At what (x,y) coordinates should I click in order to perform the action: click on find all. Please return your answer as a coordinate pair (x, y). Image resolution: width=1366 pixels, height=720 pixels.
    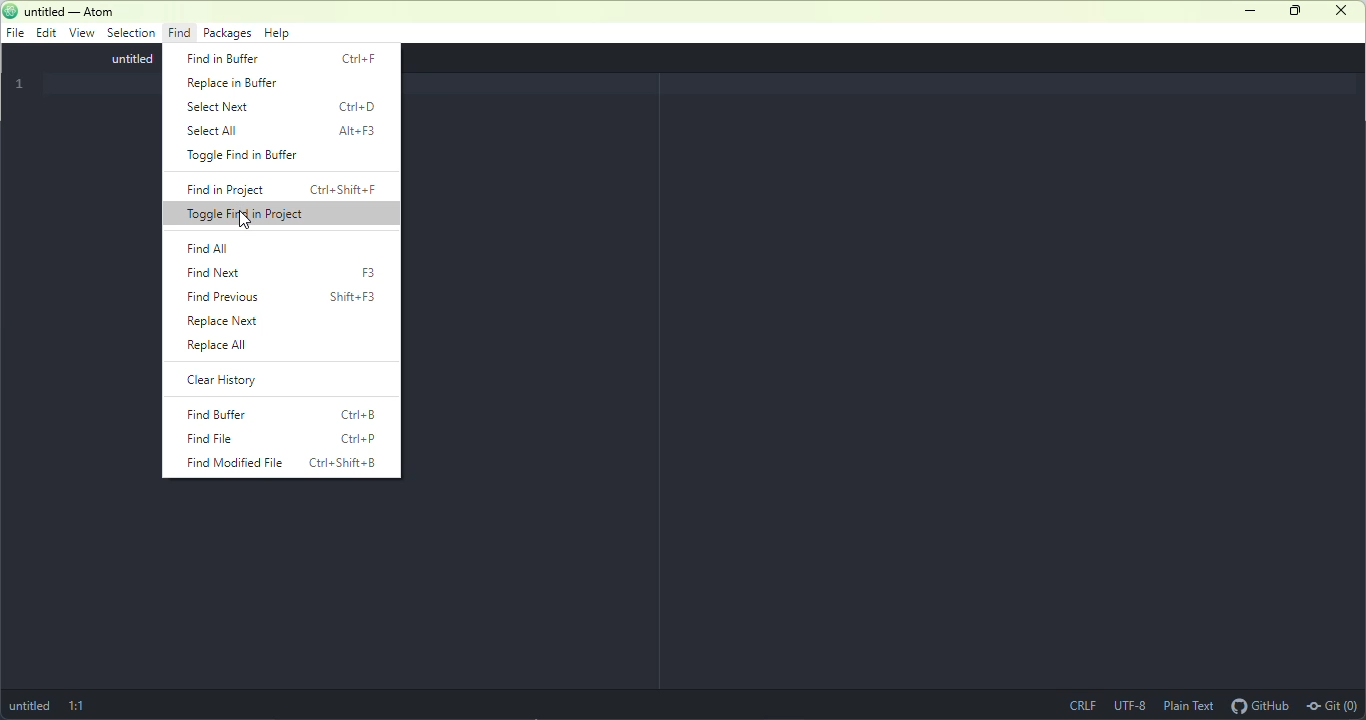
    Looking at the image, I should click on (208, 248).